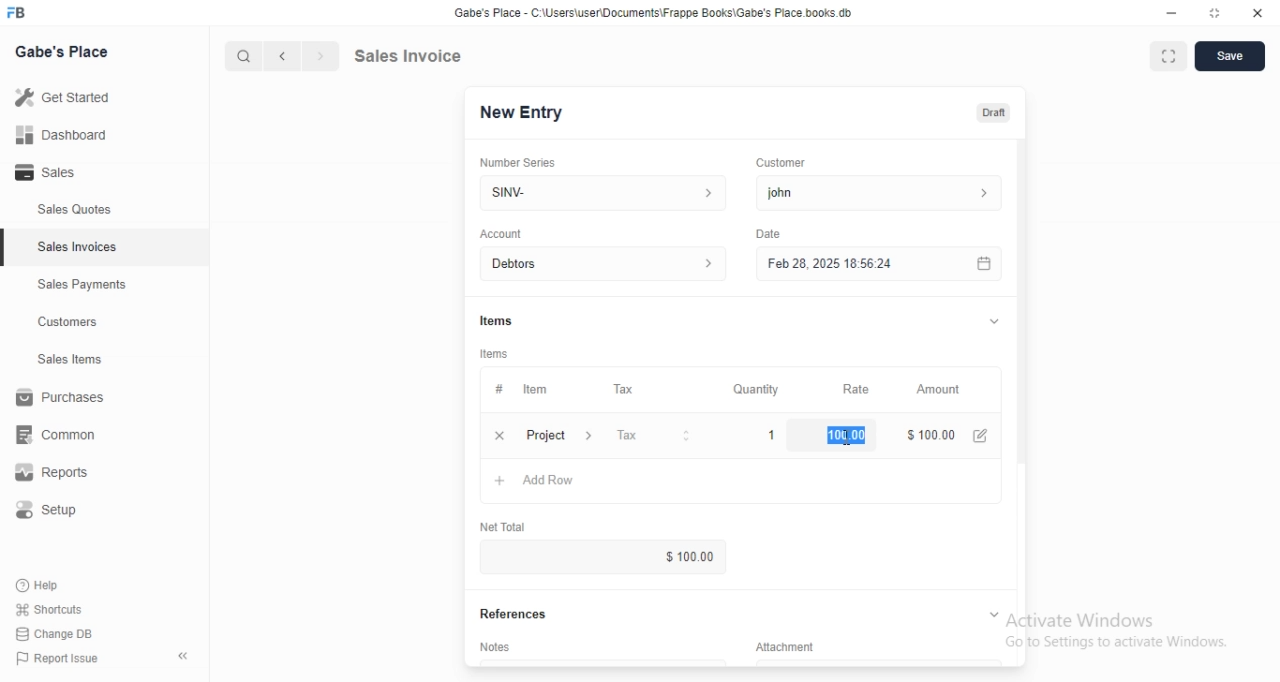 The height and width of the screenshot is (682, 1280). Describe the element at coordinates (520, 161) in the screenshot. I see `‘Number Series.` at that location.